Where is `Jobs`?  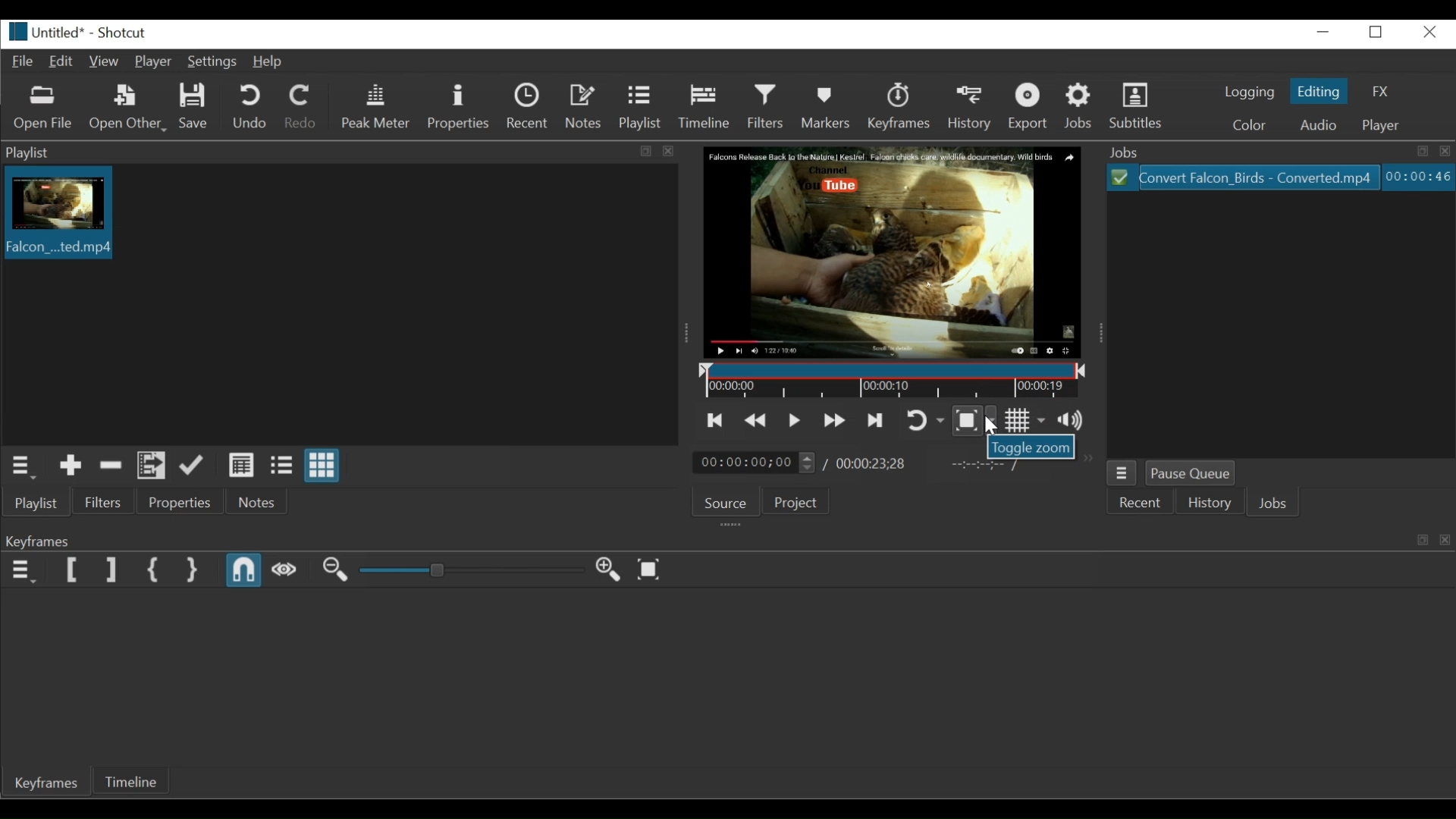 Jobs is located at coordinates (1272, 502).